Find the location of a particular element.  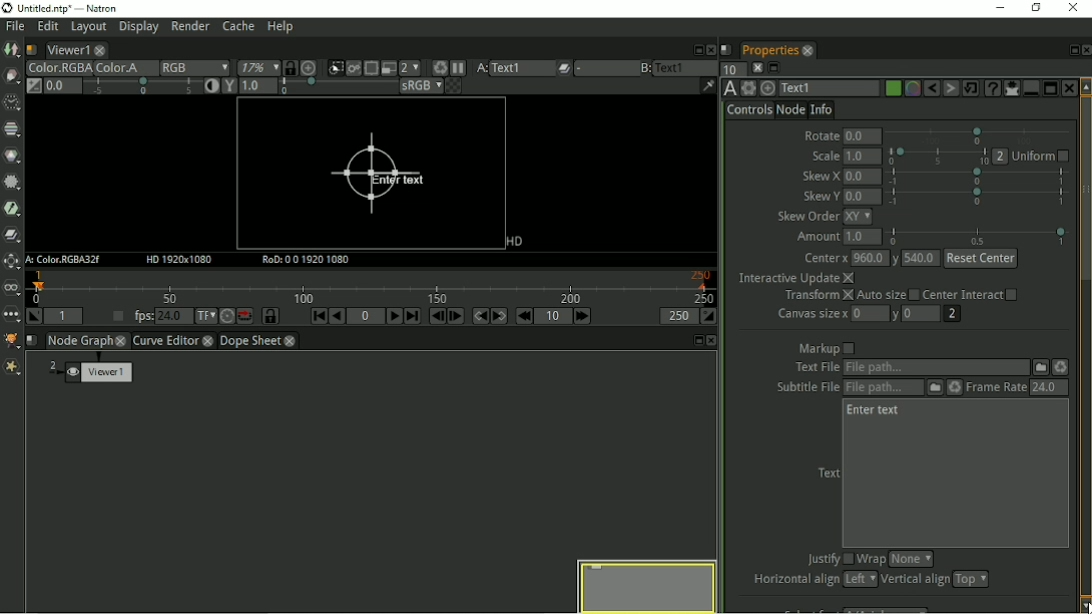

0.0 is located at coordinates (861, 197).